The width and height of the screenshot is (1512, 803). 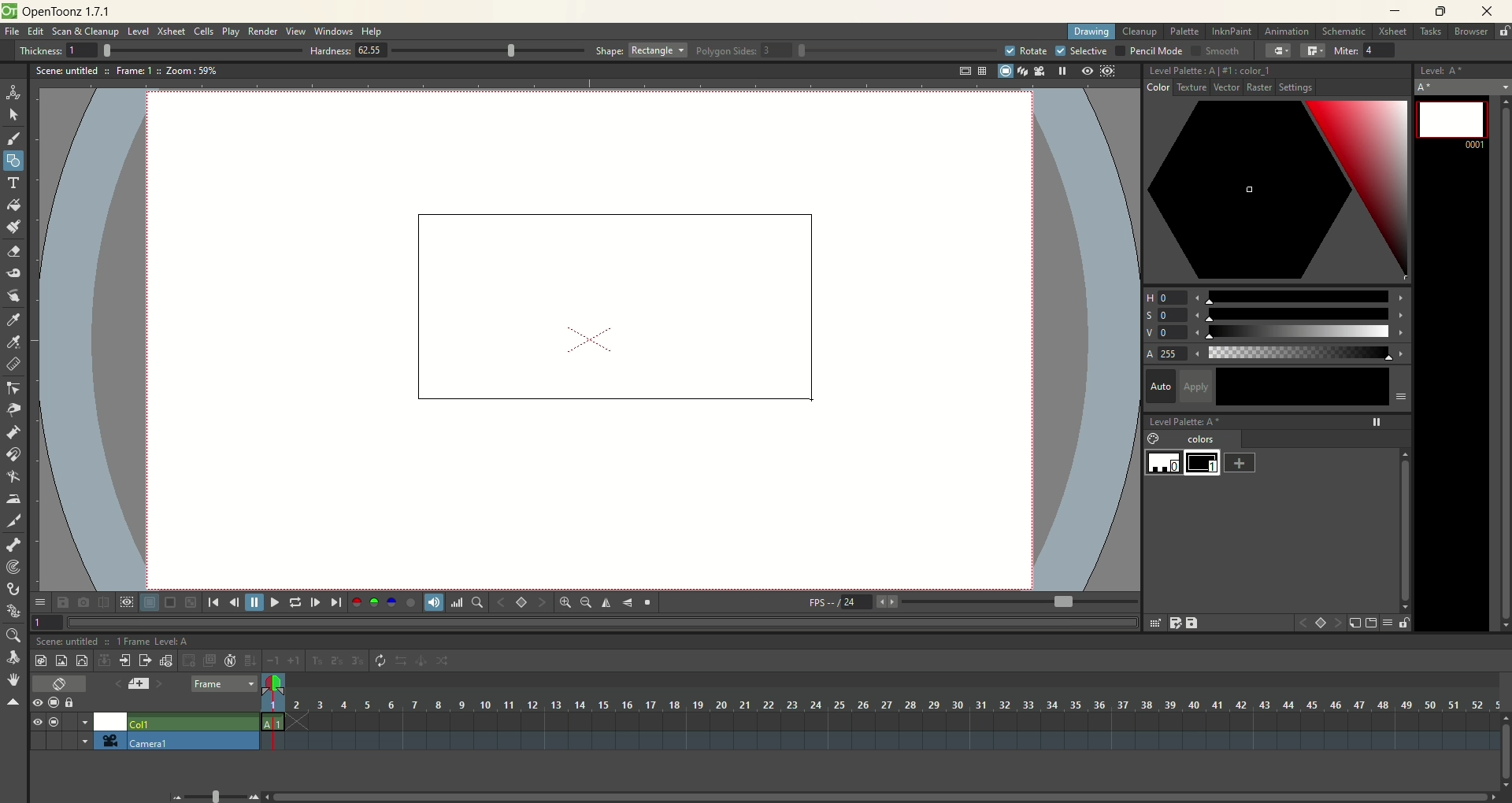 What do you see at coordinates (126, 601) in the screenshot?
I see `define sub-camera` at bounding box center [126, 601].